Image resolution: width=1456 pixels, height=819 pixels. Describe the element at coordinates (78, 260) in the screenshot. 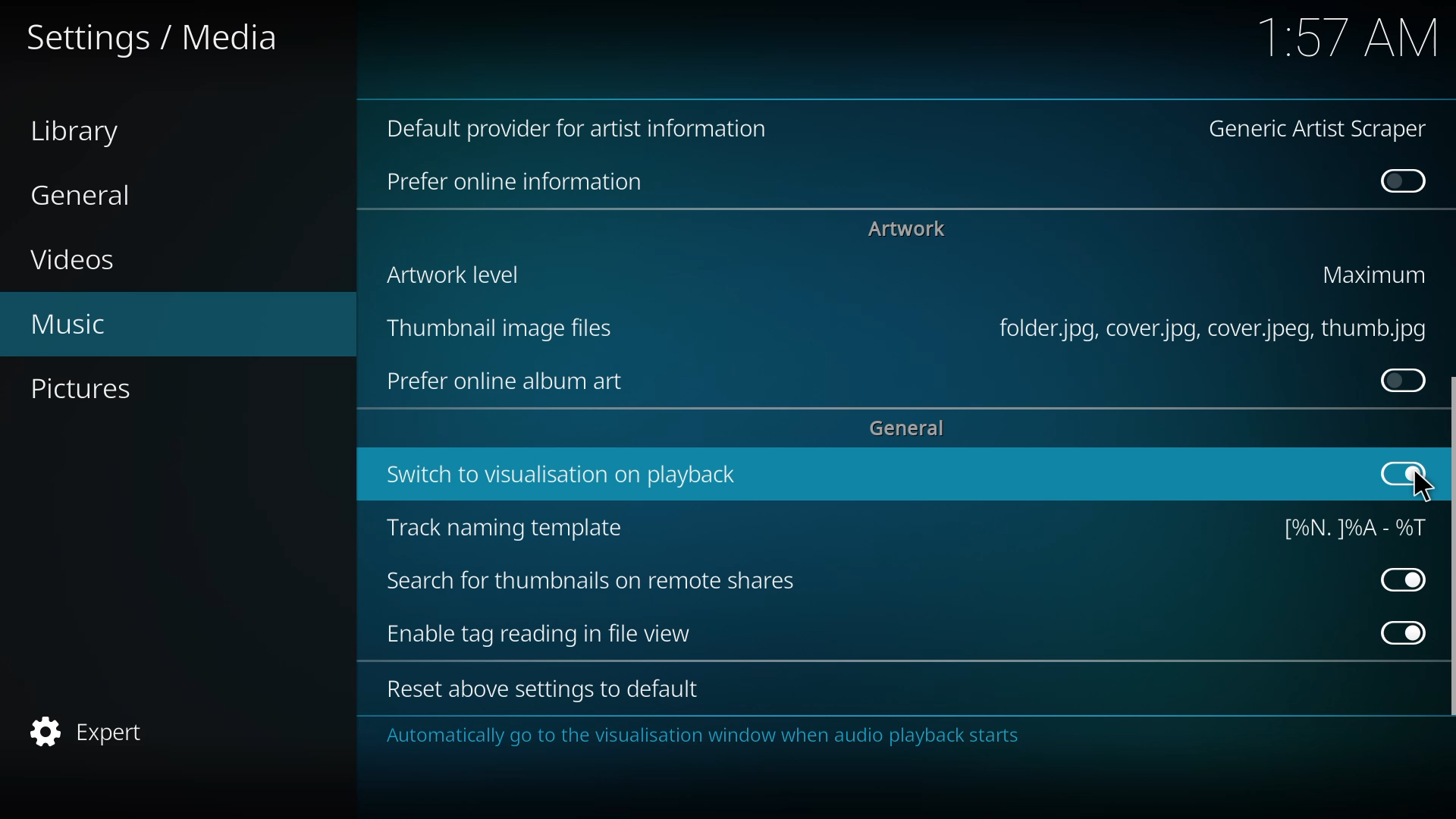

I see `videos` at that location.